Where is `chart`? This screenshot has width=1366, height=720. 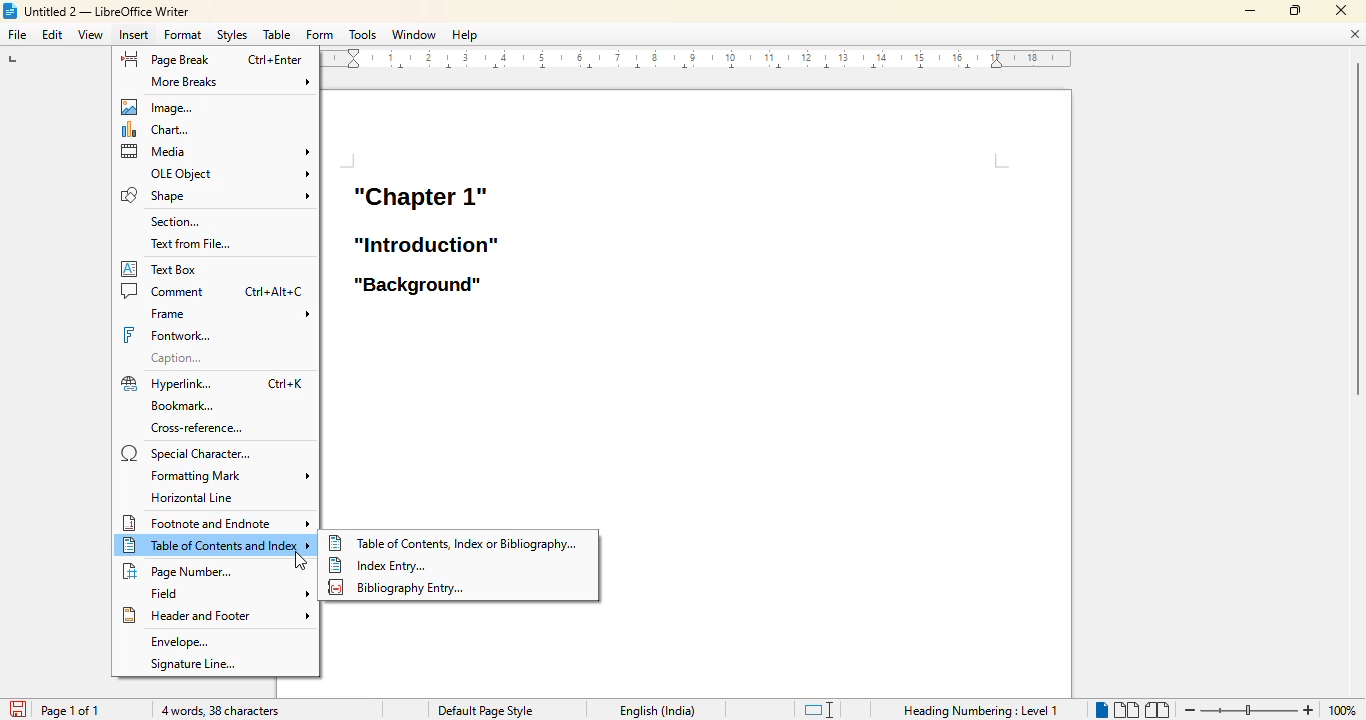
chart is located at coordinates (160, 129).